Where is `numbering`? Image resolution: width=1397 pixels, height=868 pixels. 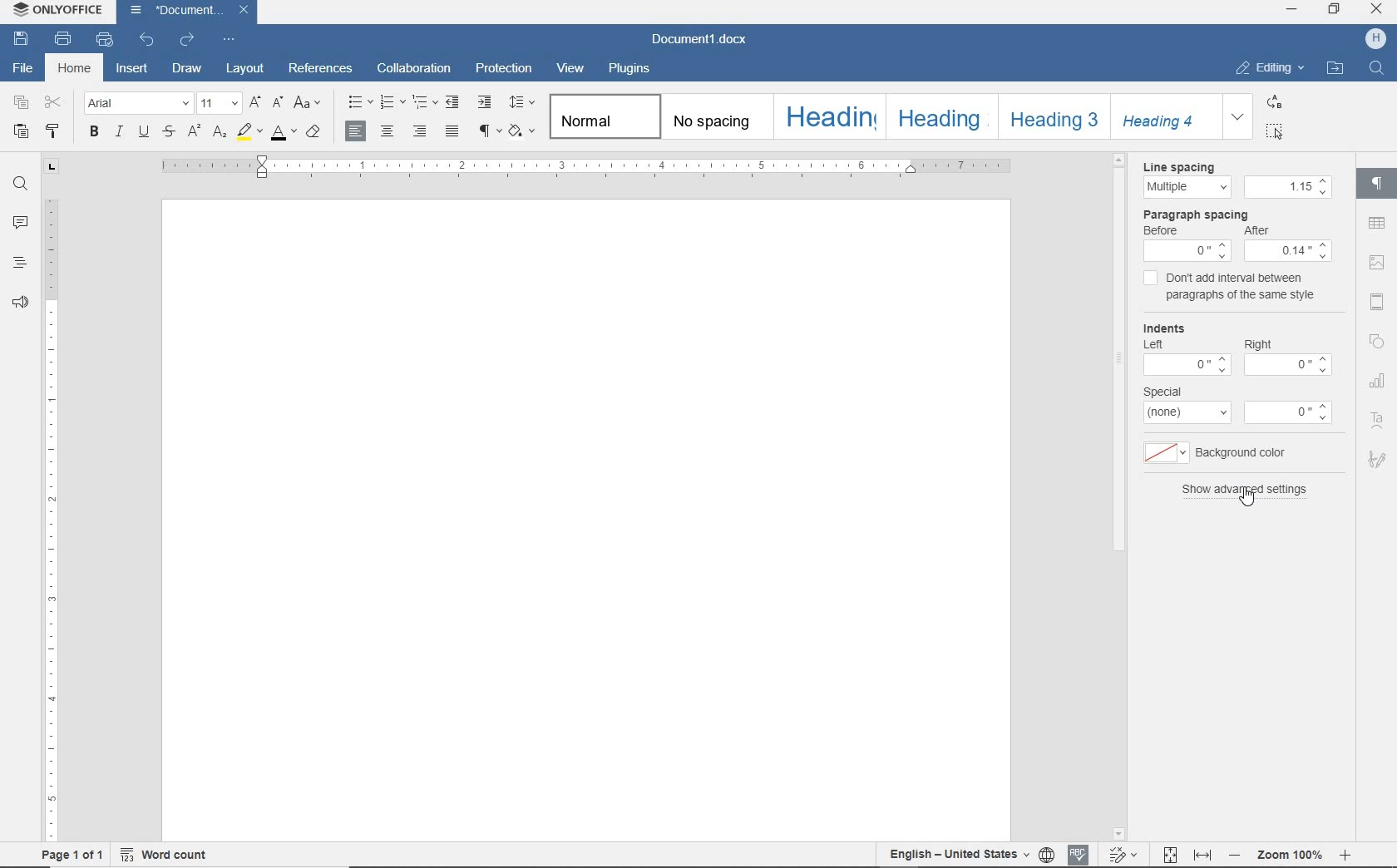 numbering is located at coordinates (392, 103).